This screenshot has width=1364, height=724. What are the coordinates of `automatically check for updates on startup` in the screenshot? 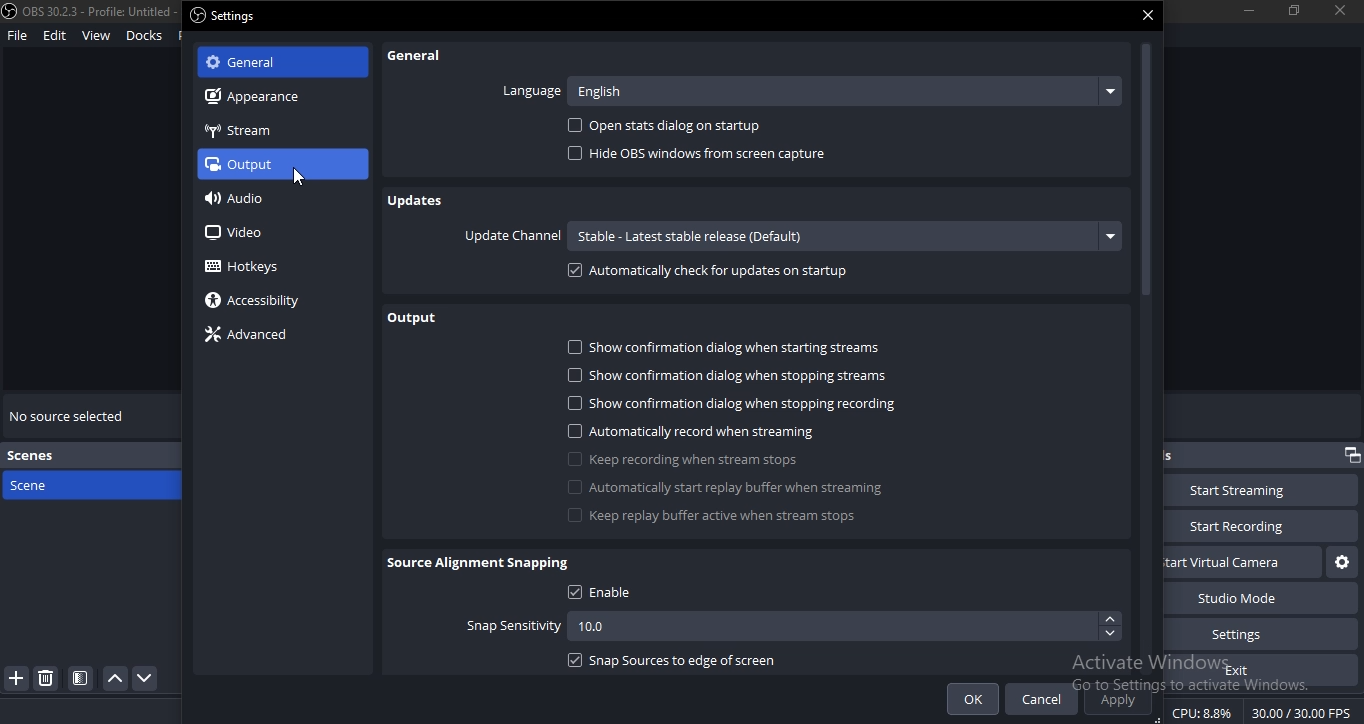 It's located at (710, 274).